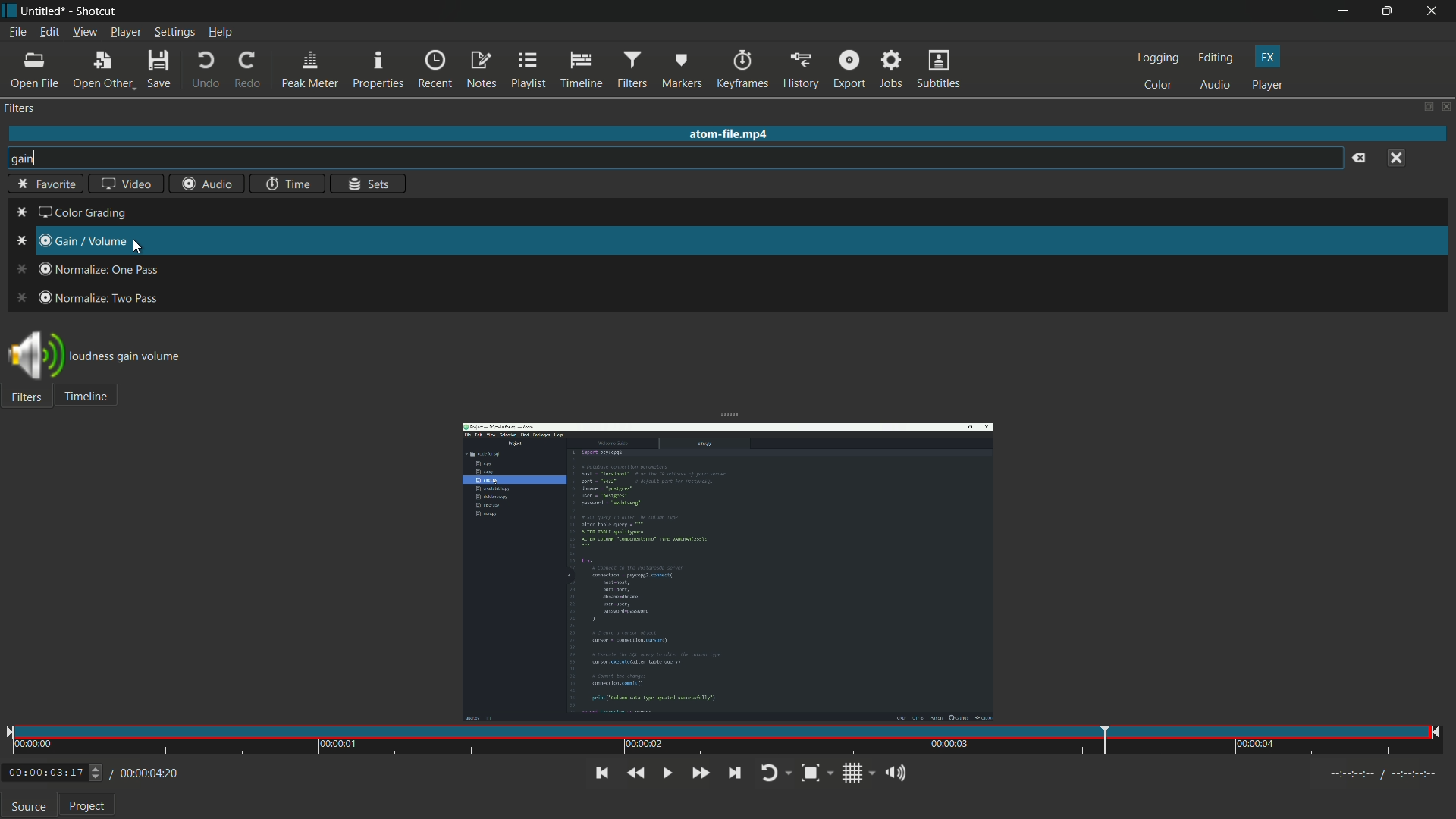 The width and height of the screenshot is (1456, 819). Describe the element at coordinates (146, 771) in the screenshot. I see `/00:00:04:20(total time)` at that location.